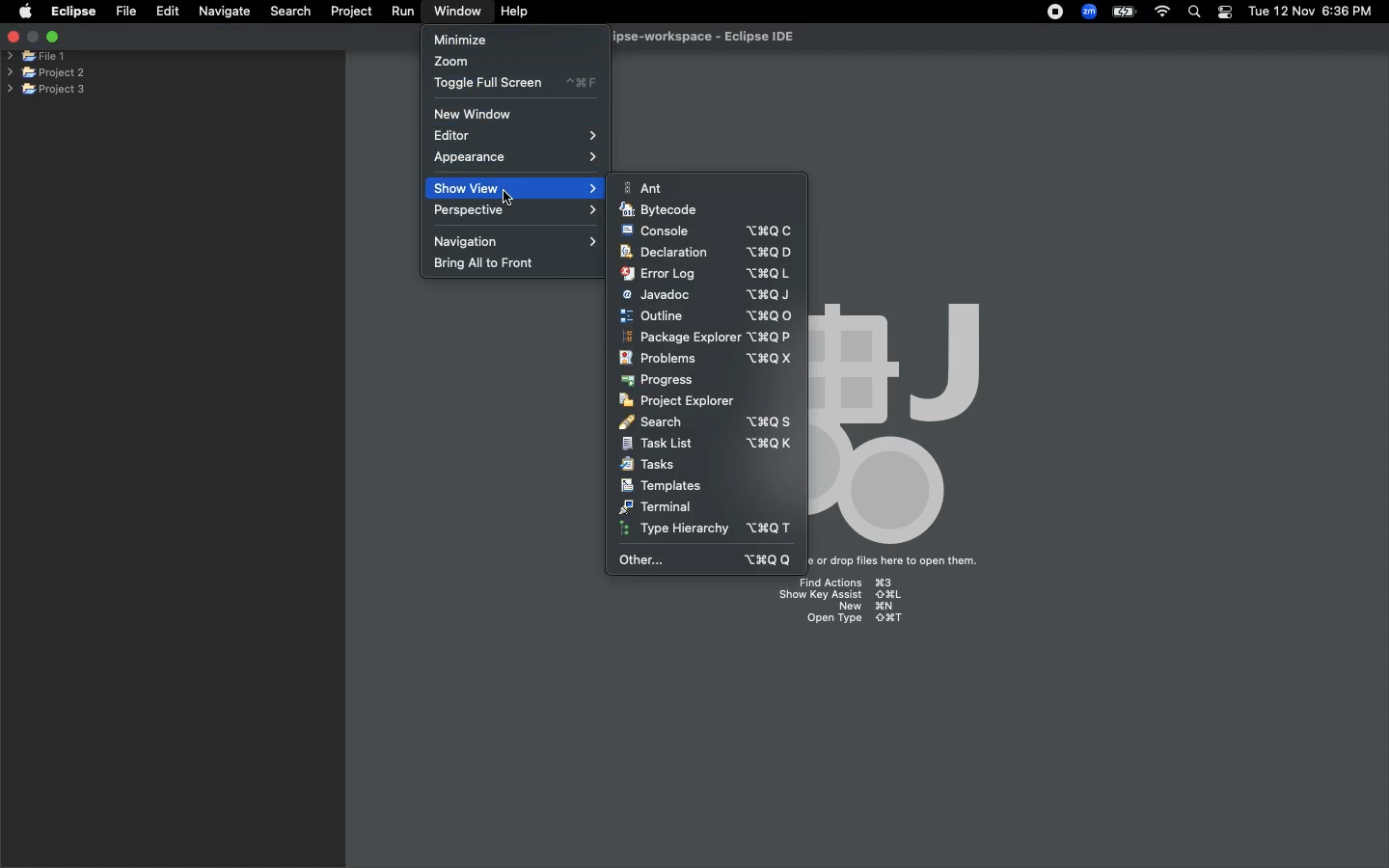 This screenshot has width=1389, height=868. Describe the element at coordinates (463, 188) in the screenshot. I see `Show view` at that location.